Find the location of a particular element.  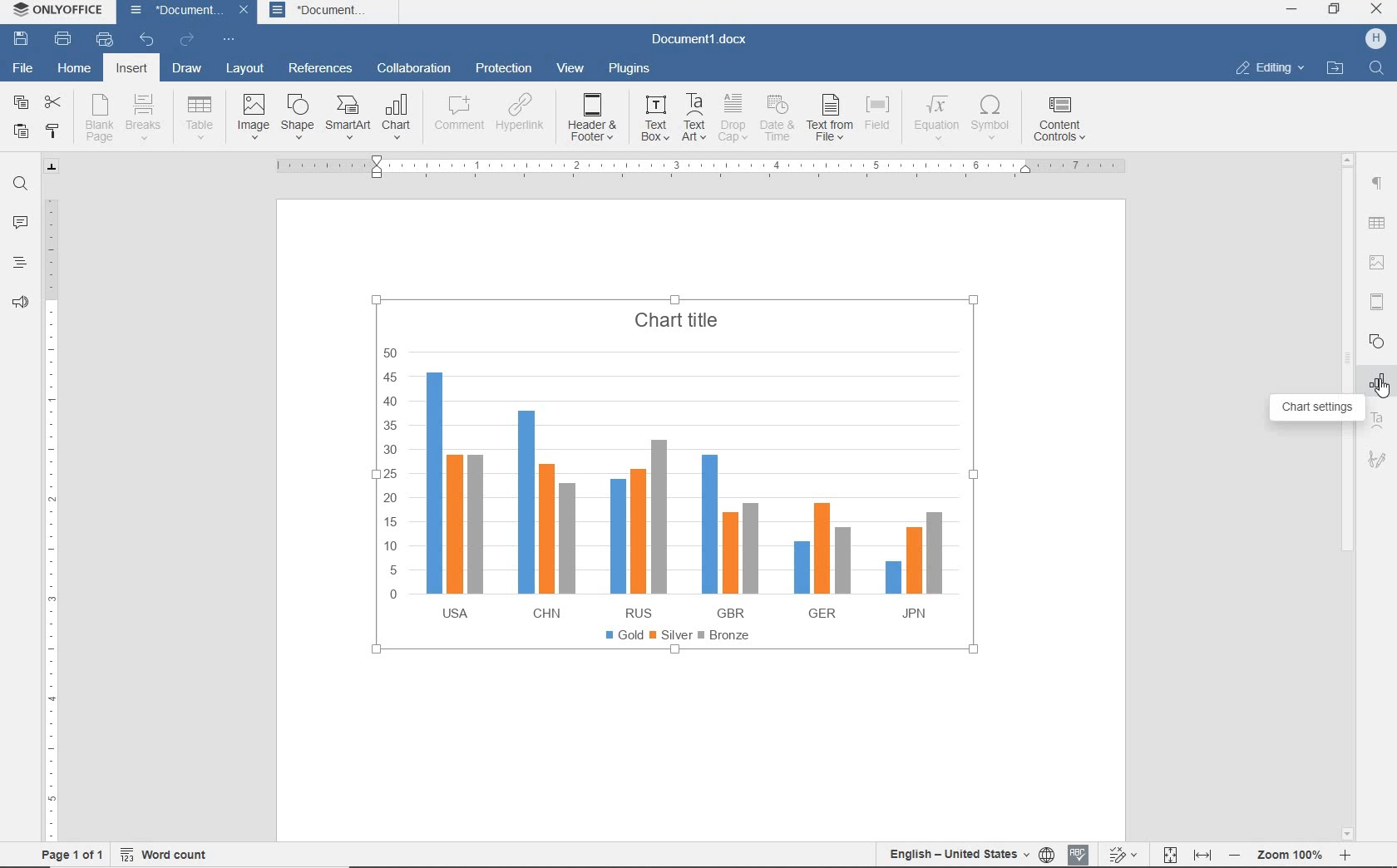

draw is located at coordinates (188, 71).